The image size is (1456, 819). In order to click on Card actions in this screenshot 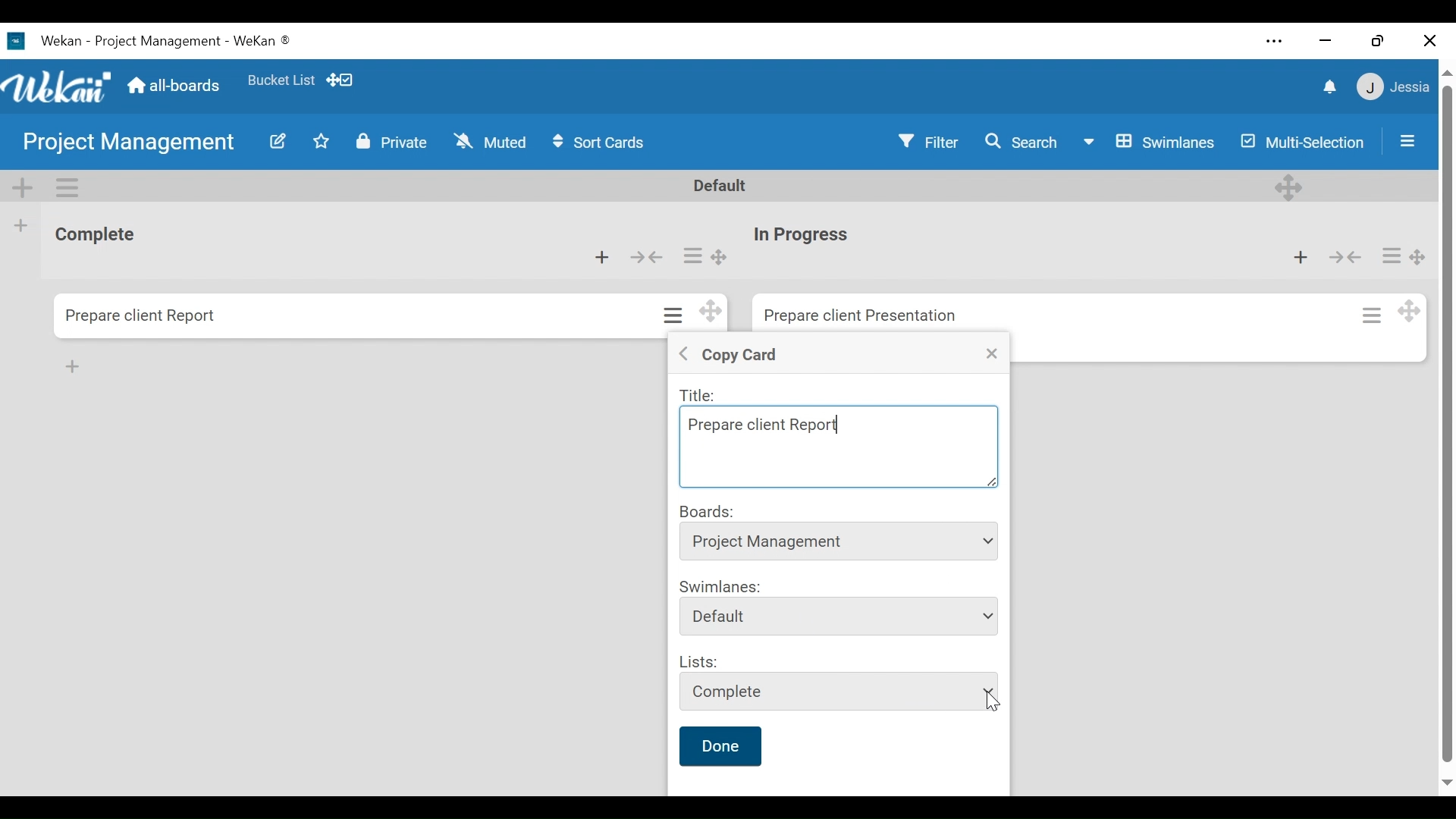, I will do `click(698, 253)`.